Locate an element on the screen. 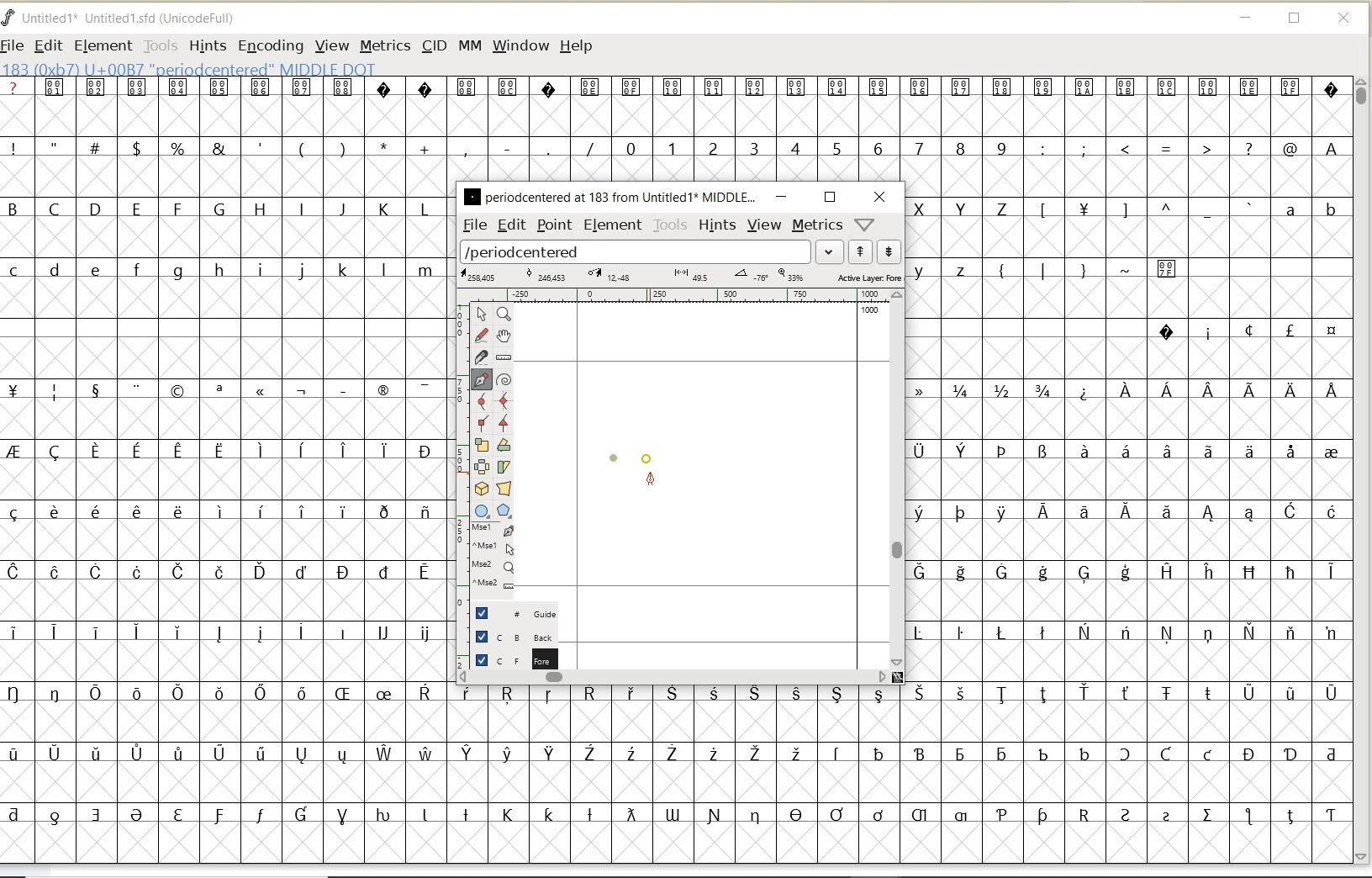  rotate the selection in 3D and project back to plane is located at coordinates (481, 488).